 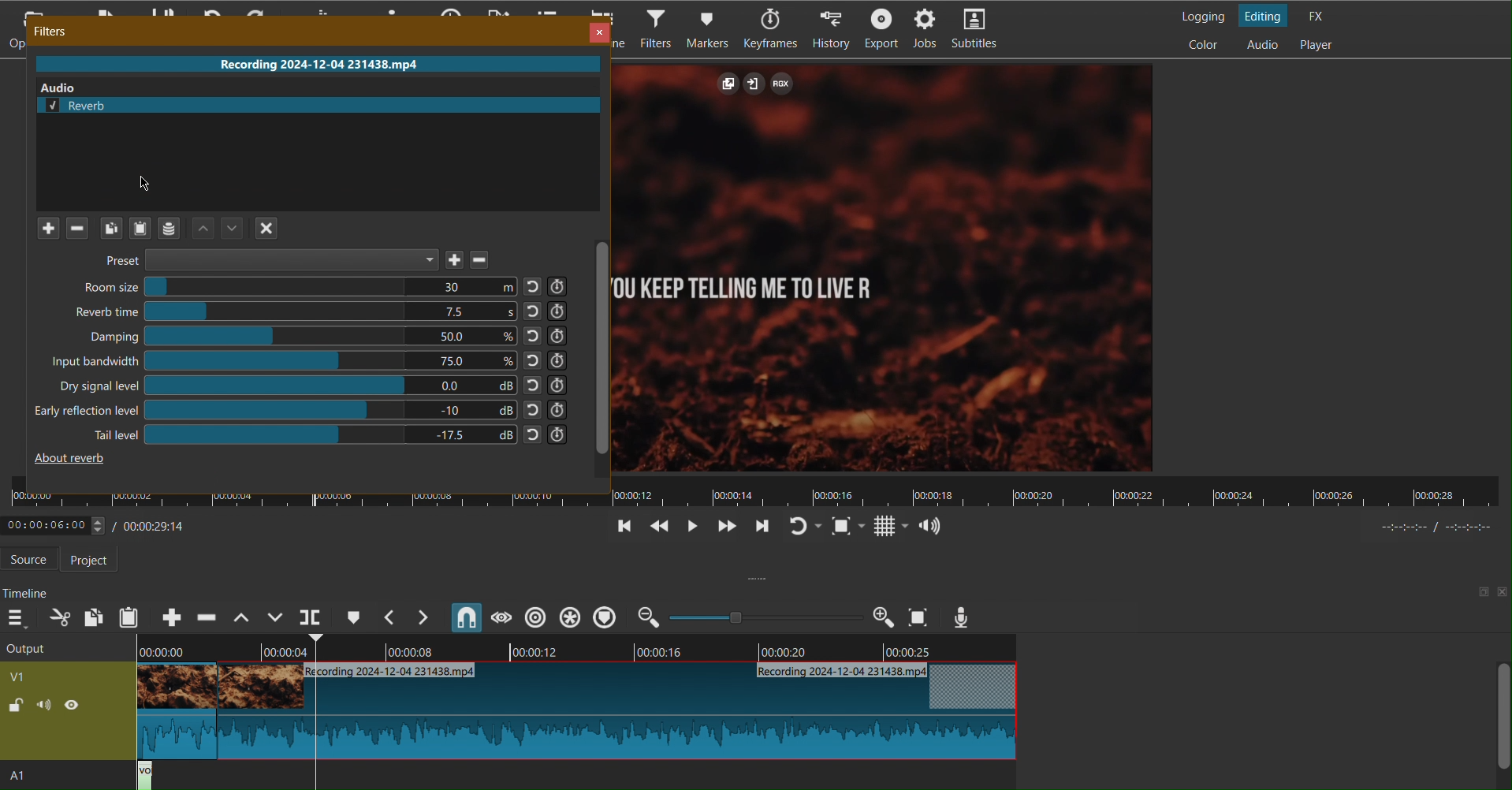 What do you see at coordinates (849, 526) in the screenshot?
I see `Zoom Fit` at bounding box center [849, 526].